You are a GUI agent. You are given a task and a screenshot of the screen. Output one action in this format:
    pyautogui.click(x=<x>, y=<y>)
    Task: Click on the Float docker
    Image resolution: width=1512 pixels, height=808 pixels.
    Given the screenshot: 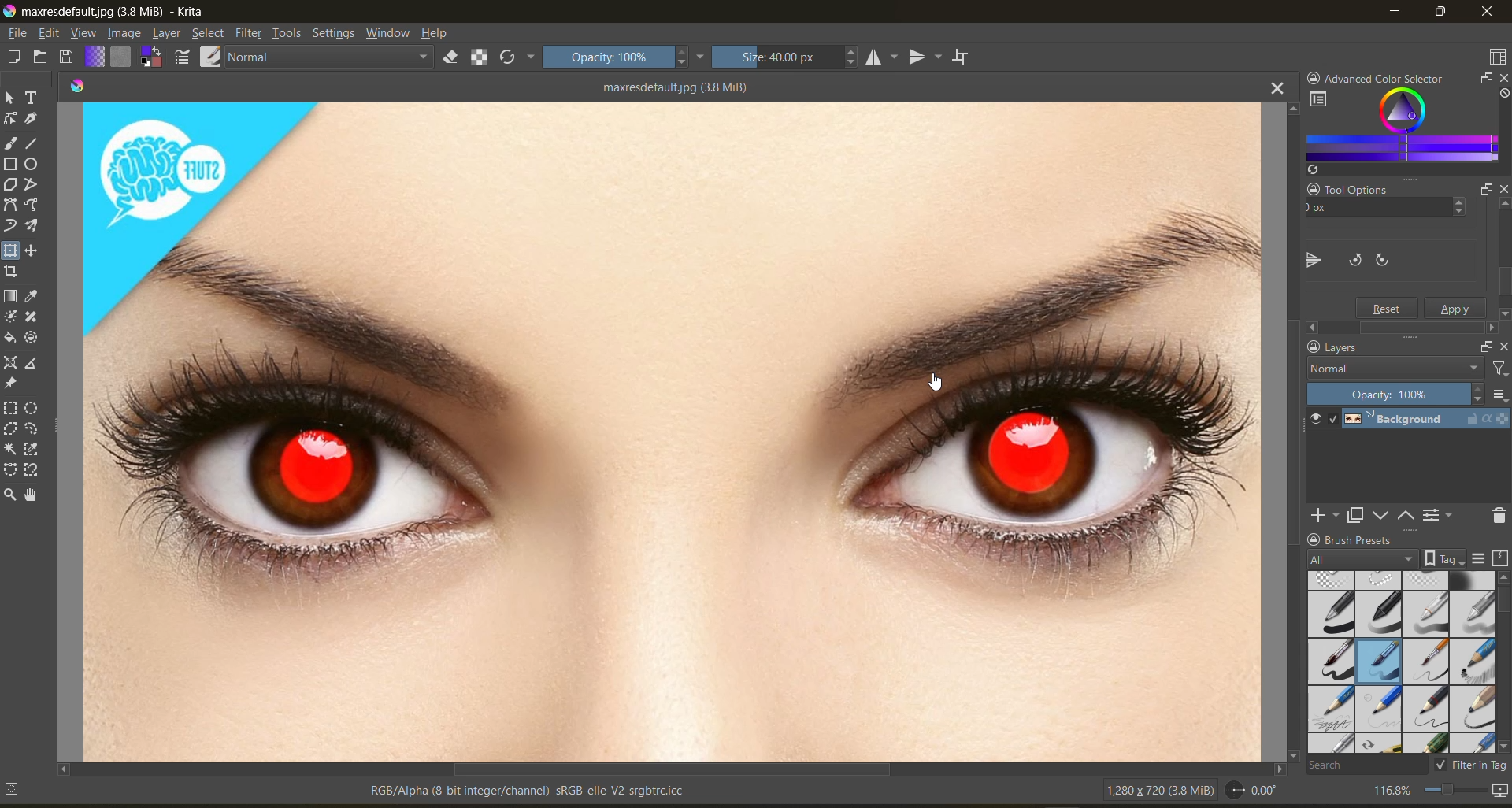 What is the action you would take?
    pyautogui.click(x=1477, y=189)
    